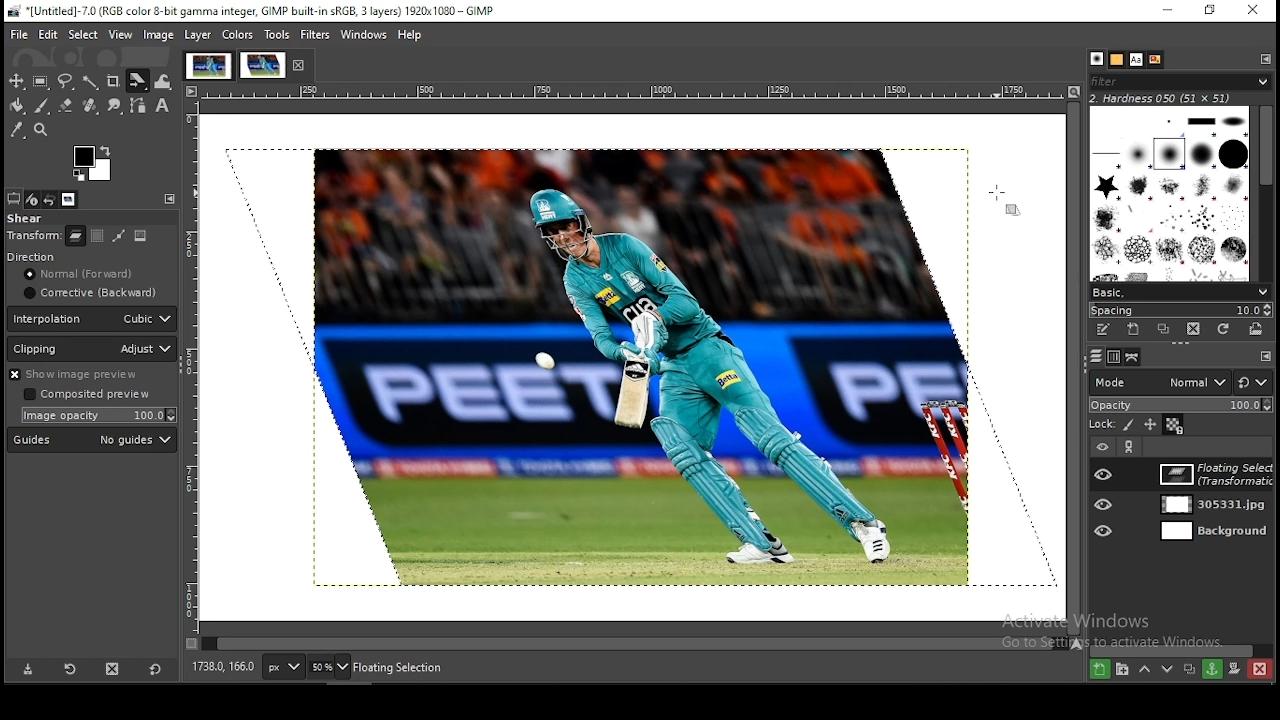  Describe the element at coordinates (164, 106) in the screenshot. I see `text tool` at that location.